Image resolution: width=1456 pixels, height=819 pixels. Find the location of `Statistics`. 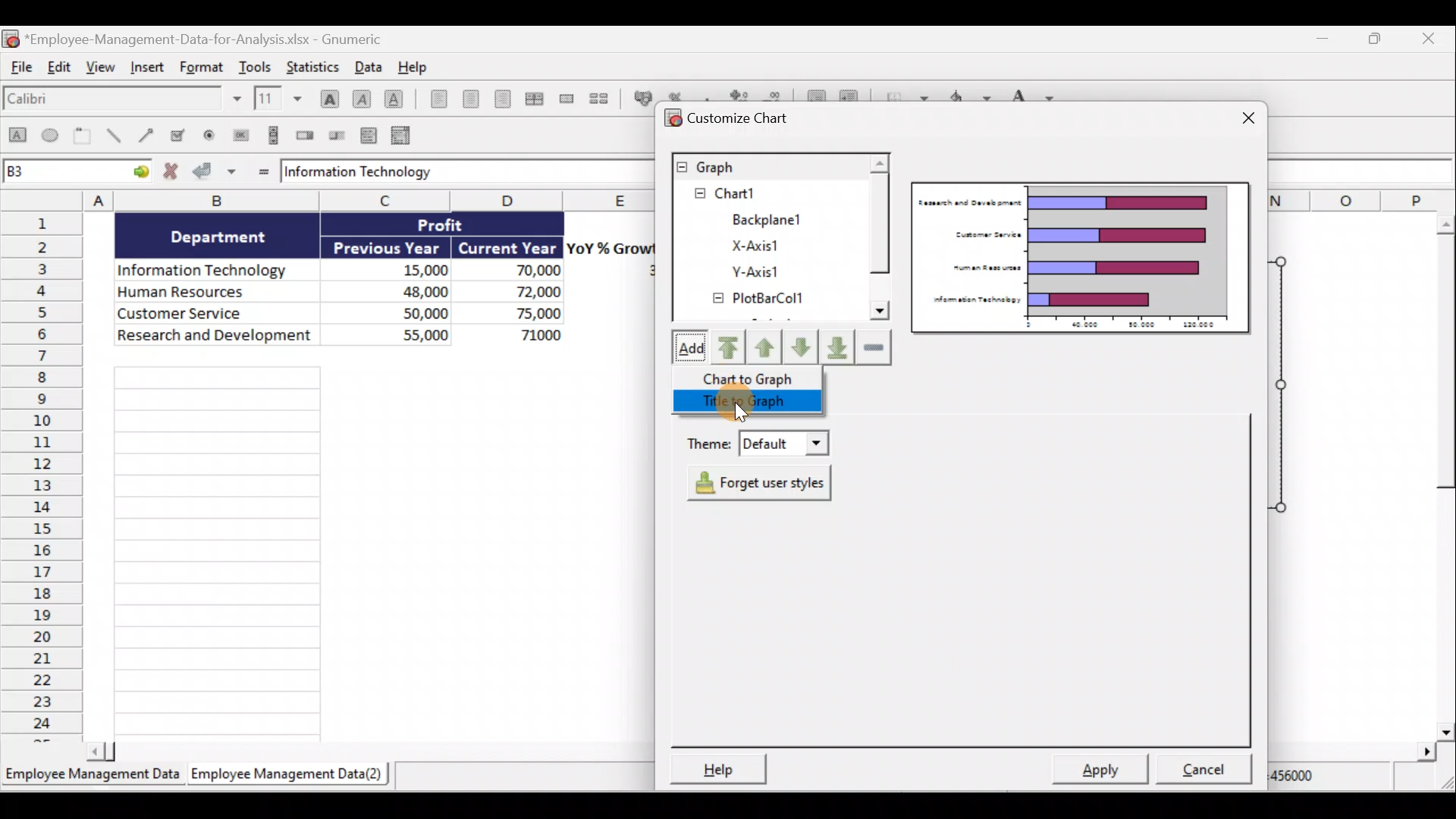

Statistics is located at coordinates (317, 66).